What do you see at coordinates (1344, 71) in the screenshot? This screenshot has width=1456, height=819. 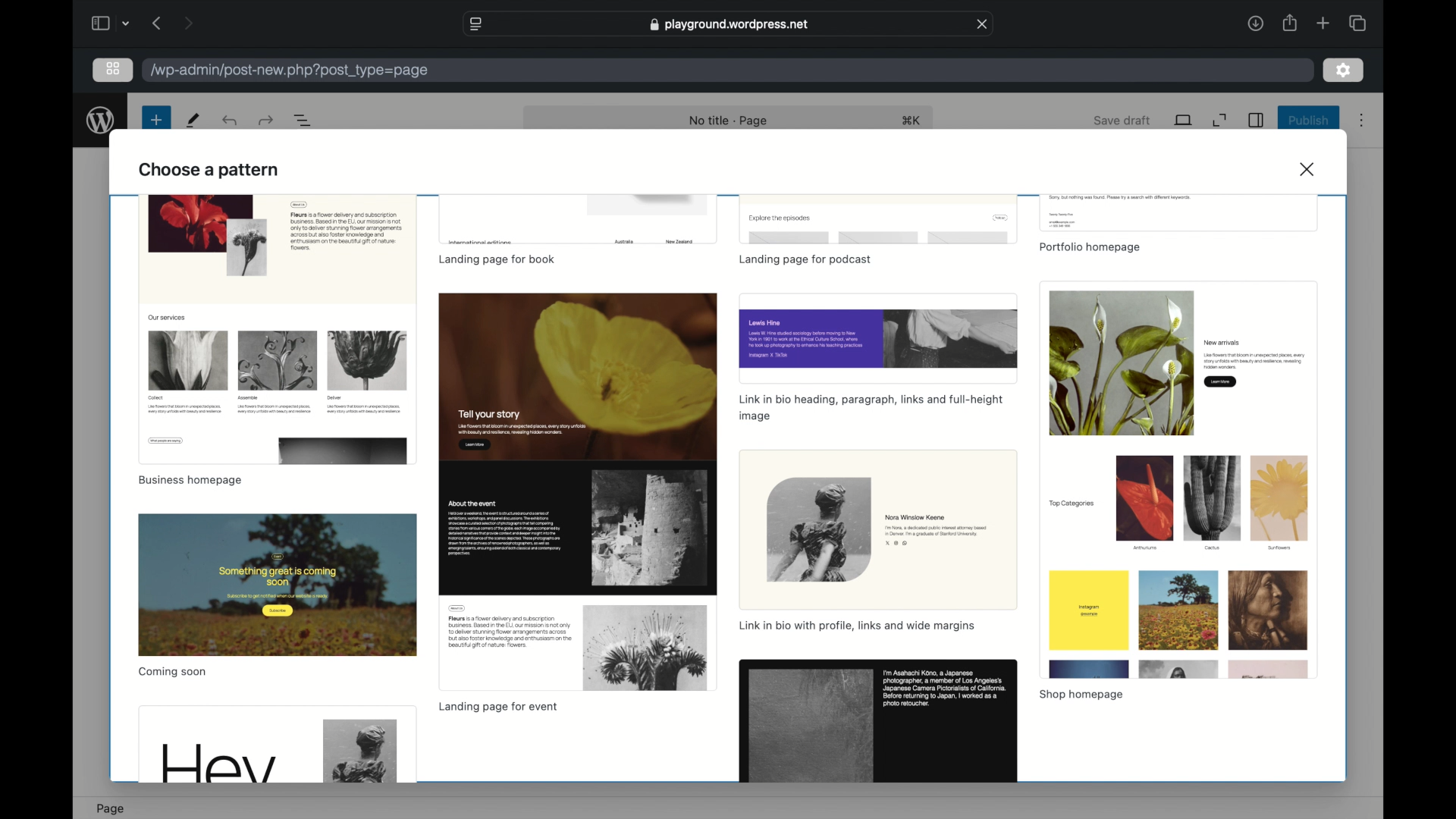 I see `settings` at bounding box center [1344, 71].